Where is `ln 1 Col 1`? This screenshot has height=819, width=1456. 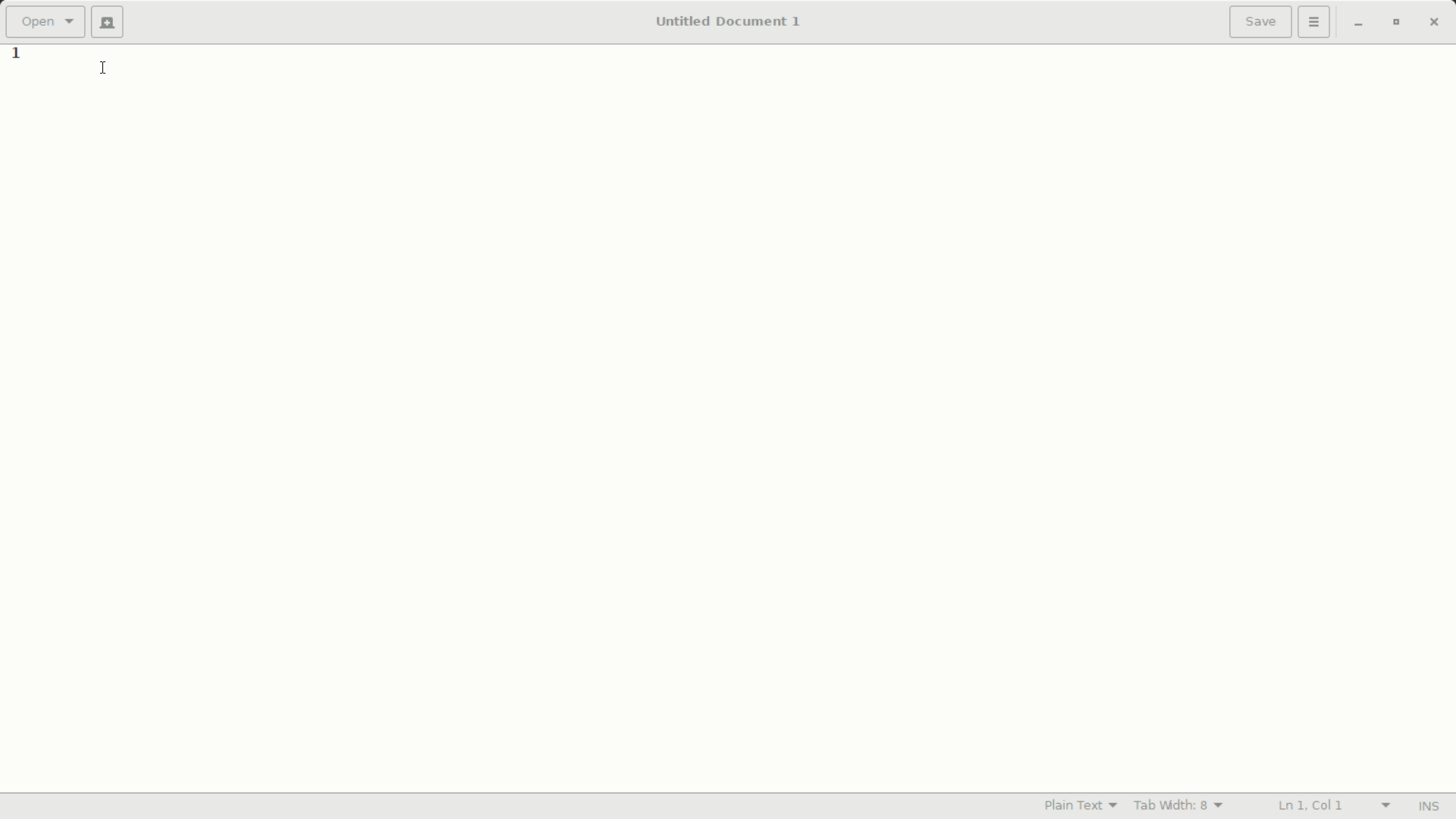
ln 1 Col 1 is located at coordinates (1332, 804).